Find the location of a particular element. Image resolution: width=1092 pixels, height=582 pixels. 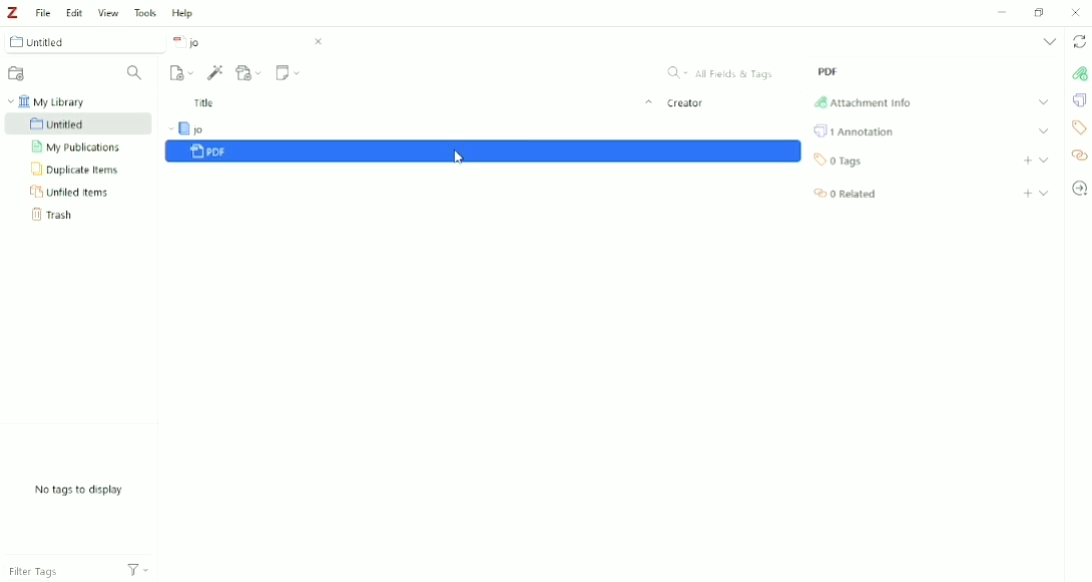

Minimize is located at coordinates (1004, 11).